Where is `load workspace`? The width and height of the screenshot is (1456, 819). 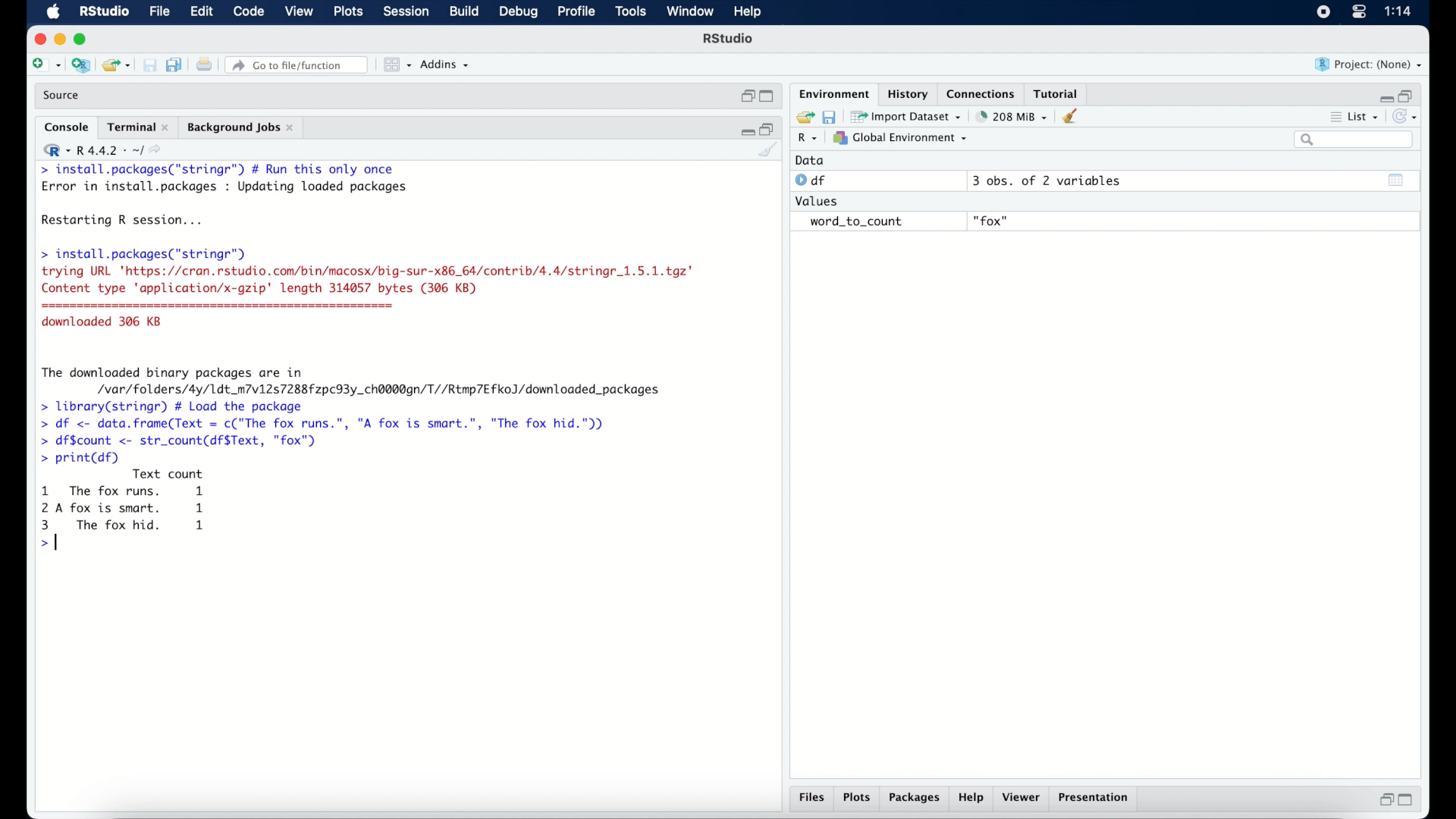 load workspace is located at coordinates (802, 118).